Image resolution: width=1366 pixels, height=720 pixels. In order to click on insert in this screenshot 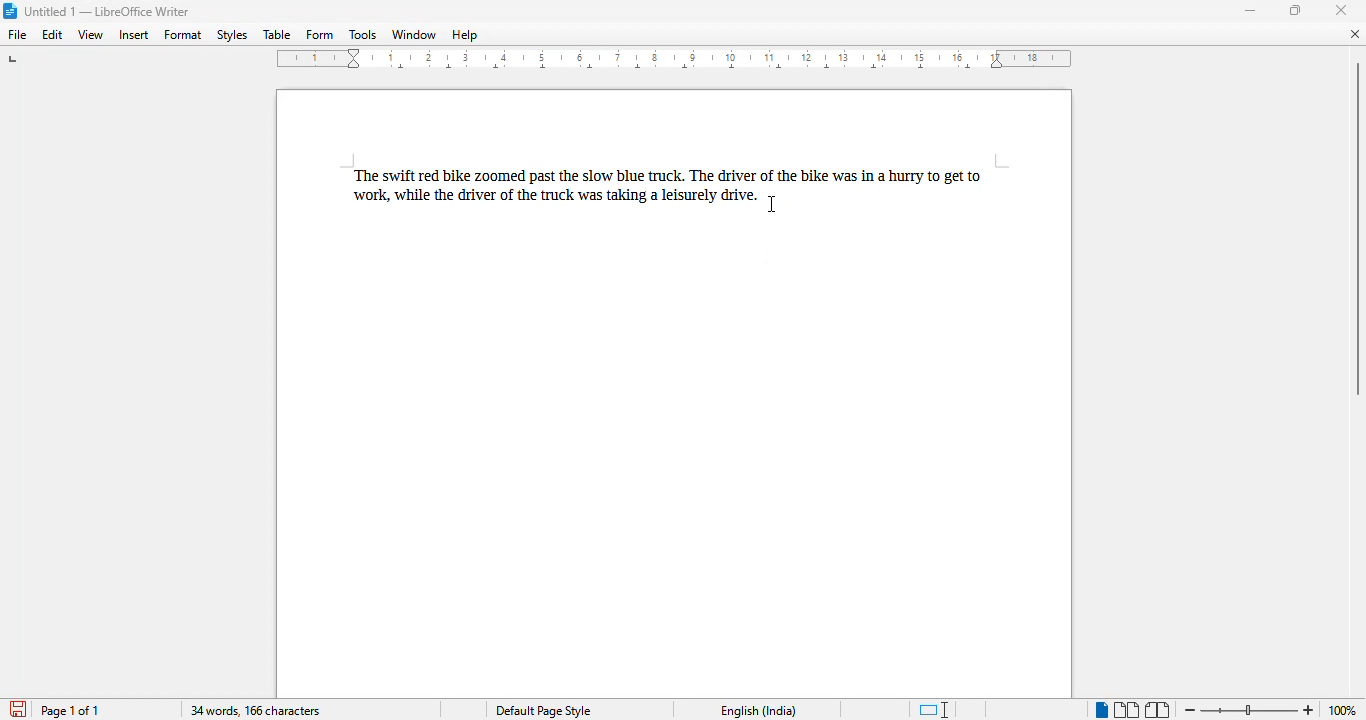, I will do `click(133, 35)`.